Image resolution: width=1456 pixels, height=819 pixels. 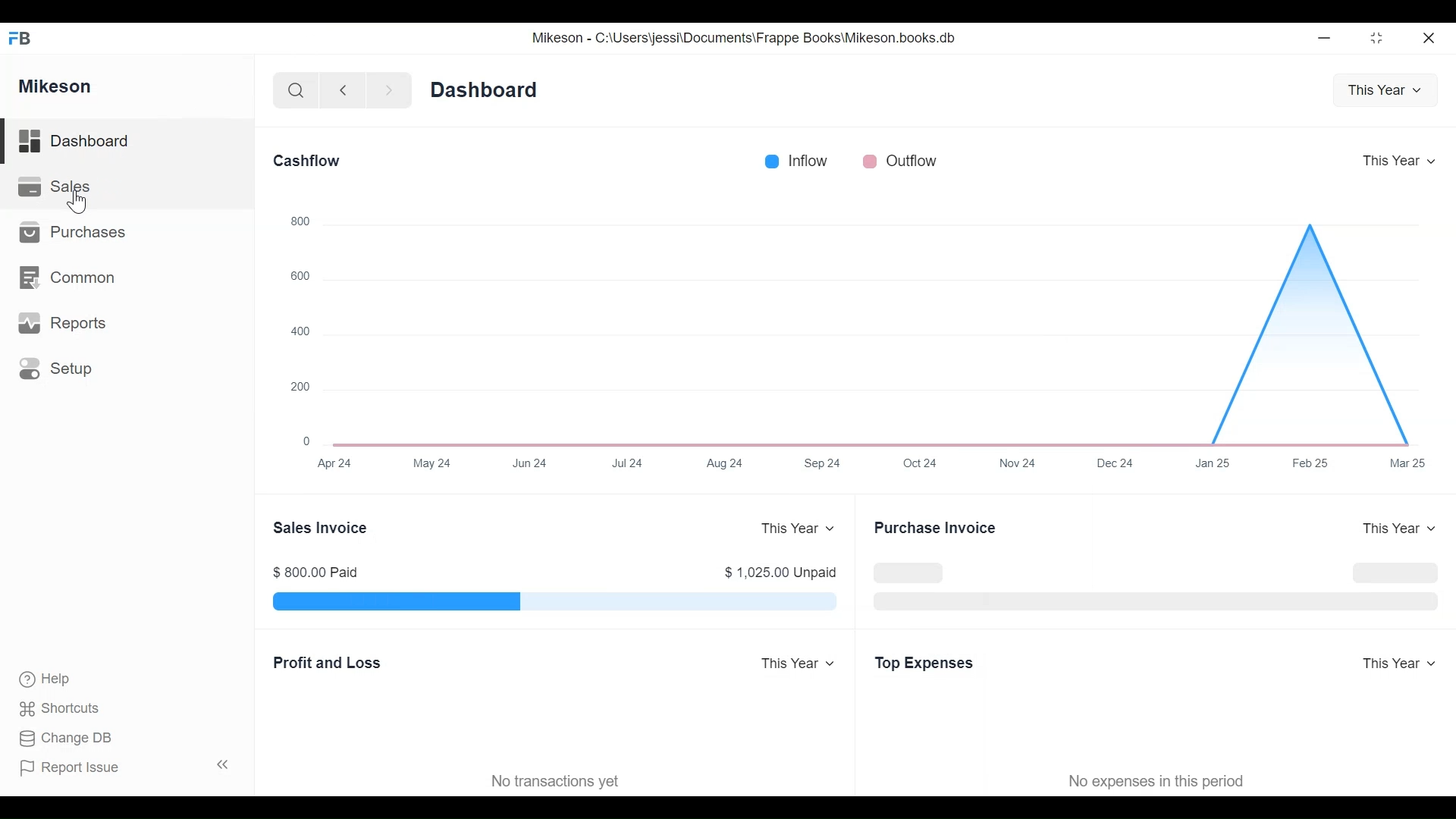 I want to click on Sales, so click(x=53, y=188).